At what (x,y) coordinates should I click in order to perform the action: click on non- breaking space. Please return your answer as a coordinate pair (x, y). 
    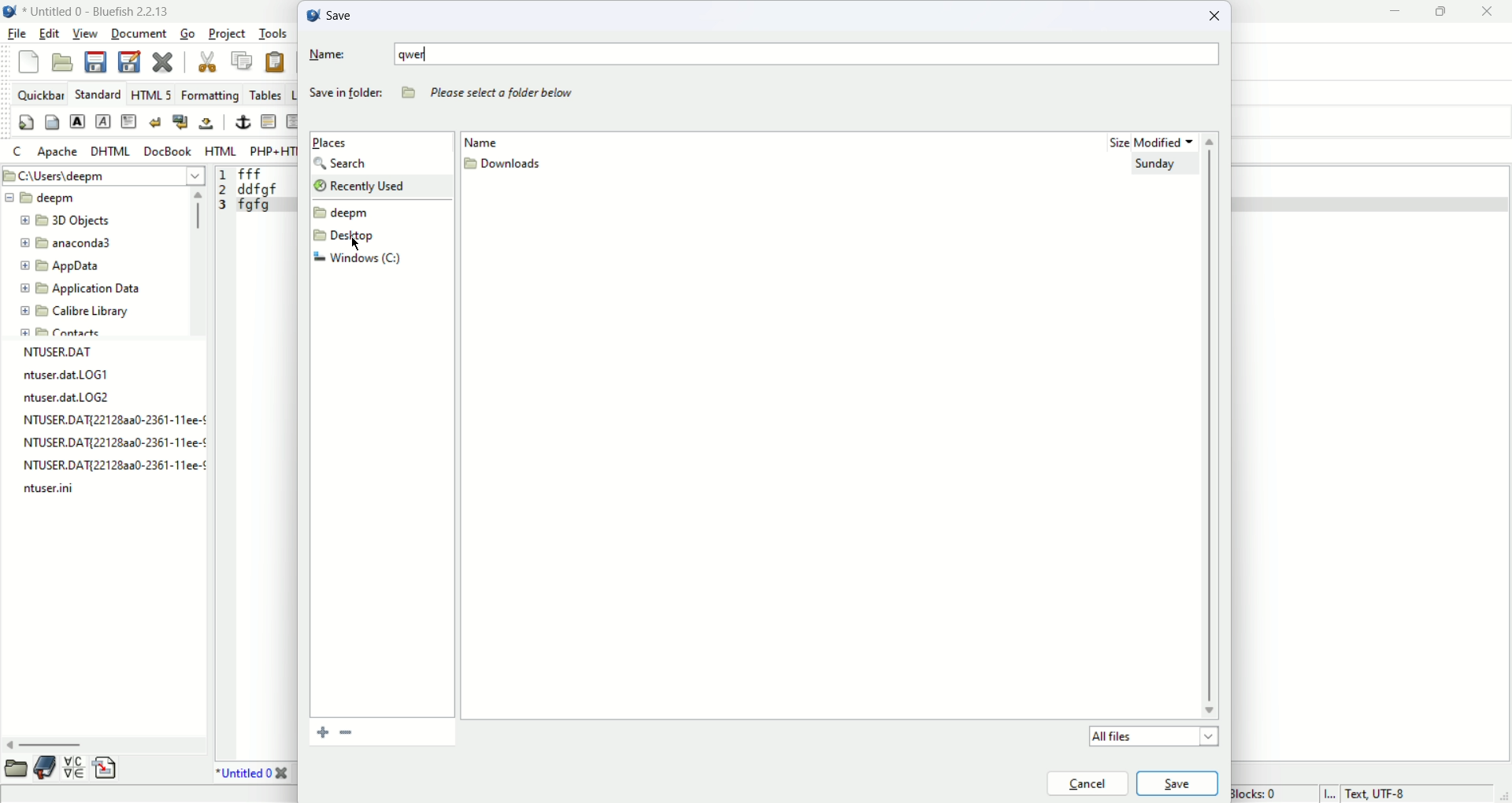
    Looking at the image, I should click on (207, 124).